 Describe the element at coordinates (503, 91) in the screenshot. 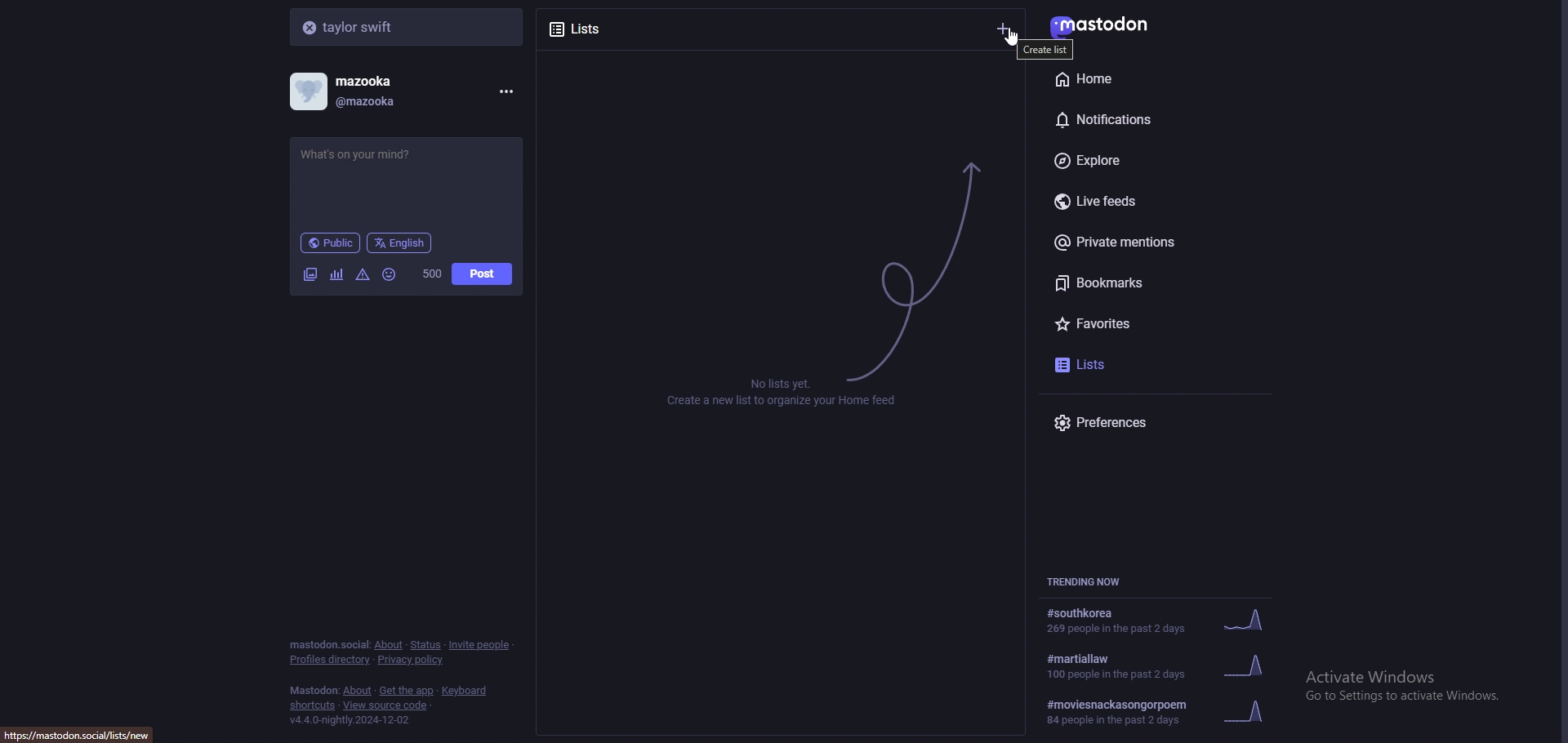

I see `menu` at that location.